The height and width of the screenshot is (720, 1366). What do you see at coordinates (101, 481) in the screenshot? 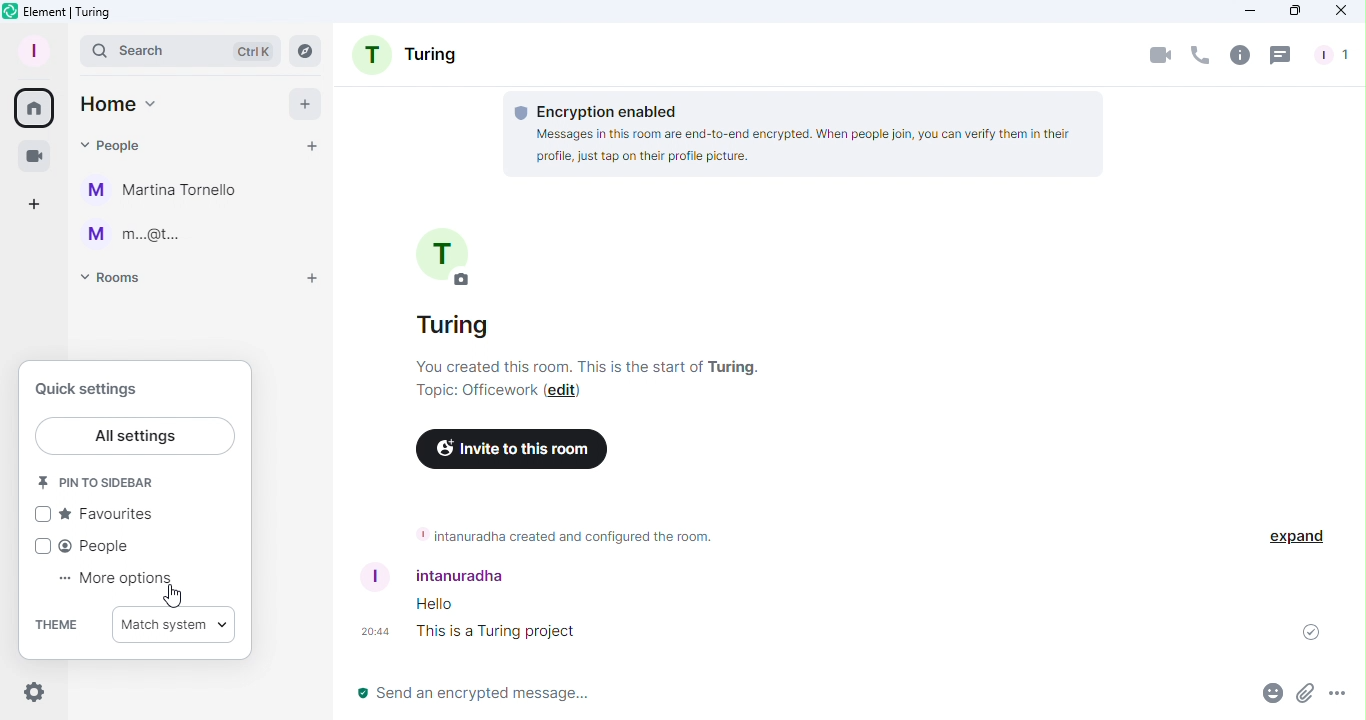
I see `Pin to sidebar` at bounding box center [101, 481].